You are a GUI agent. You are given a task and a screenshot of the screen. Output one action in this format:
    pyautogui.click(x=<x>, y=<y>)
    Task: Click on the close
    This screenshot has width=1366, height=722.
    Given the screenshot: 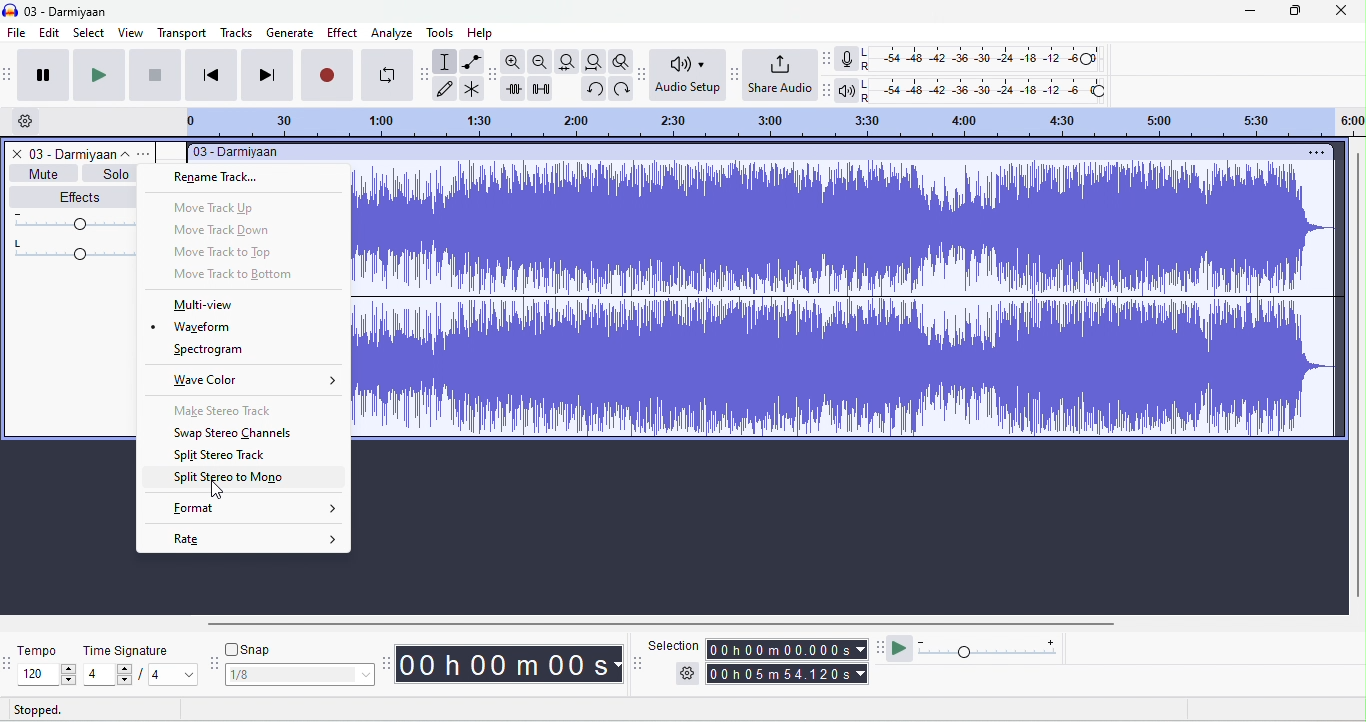 What is the action you would take?
    pyautogui.click(x=1340, y=13)
    